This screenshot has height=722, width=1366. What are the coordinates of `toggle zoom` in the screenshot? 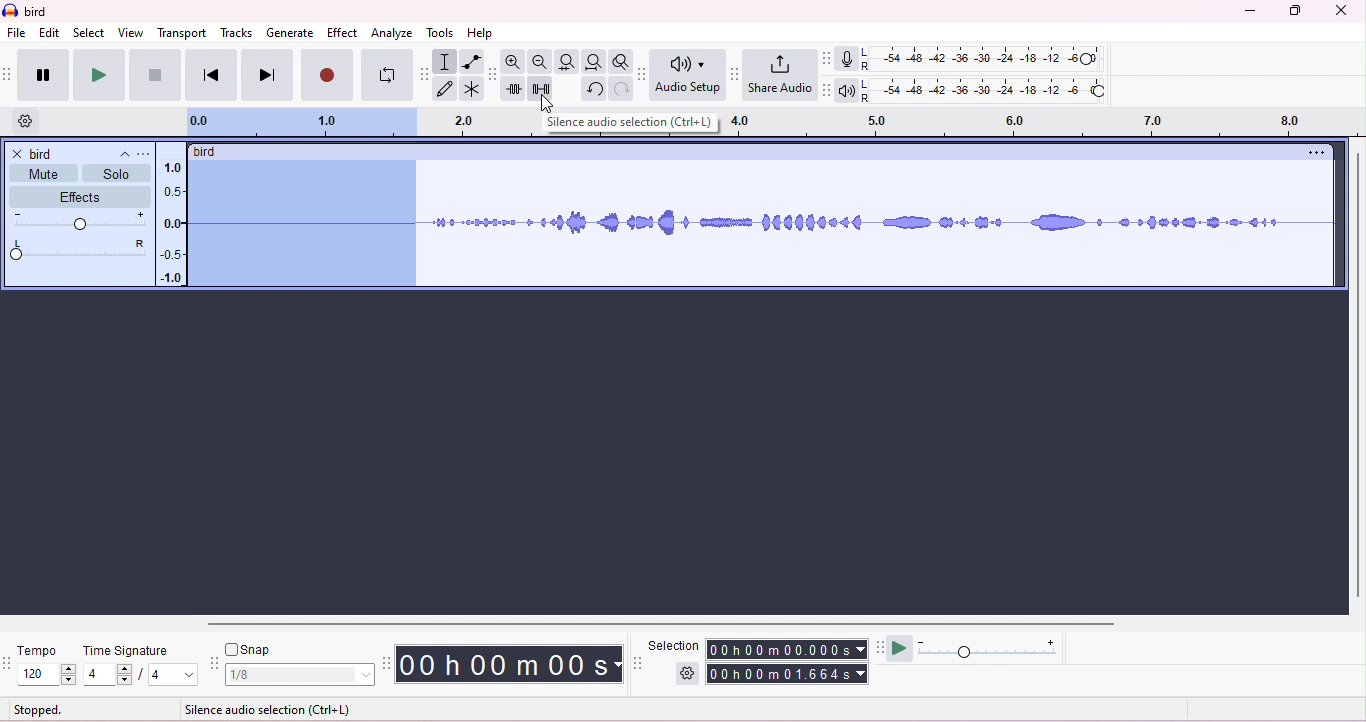 It's located at (621, 61).